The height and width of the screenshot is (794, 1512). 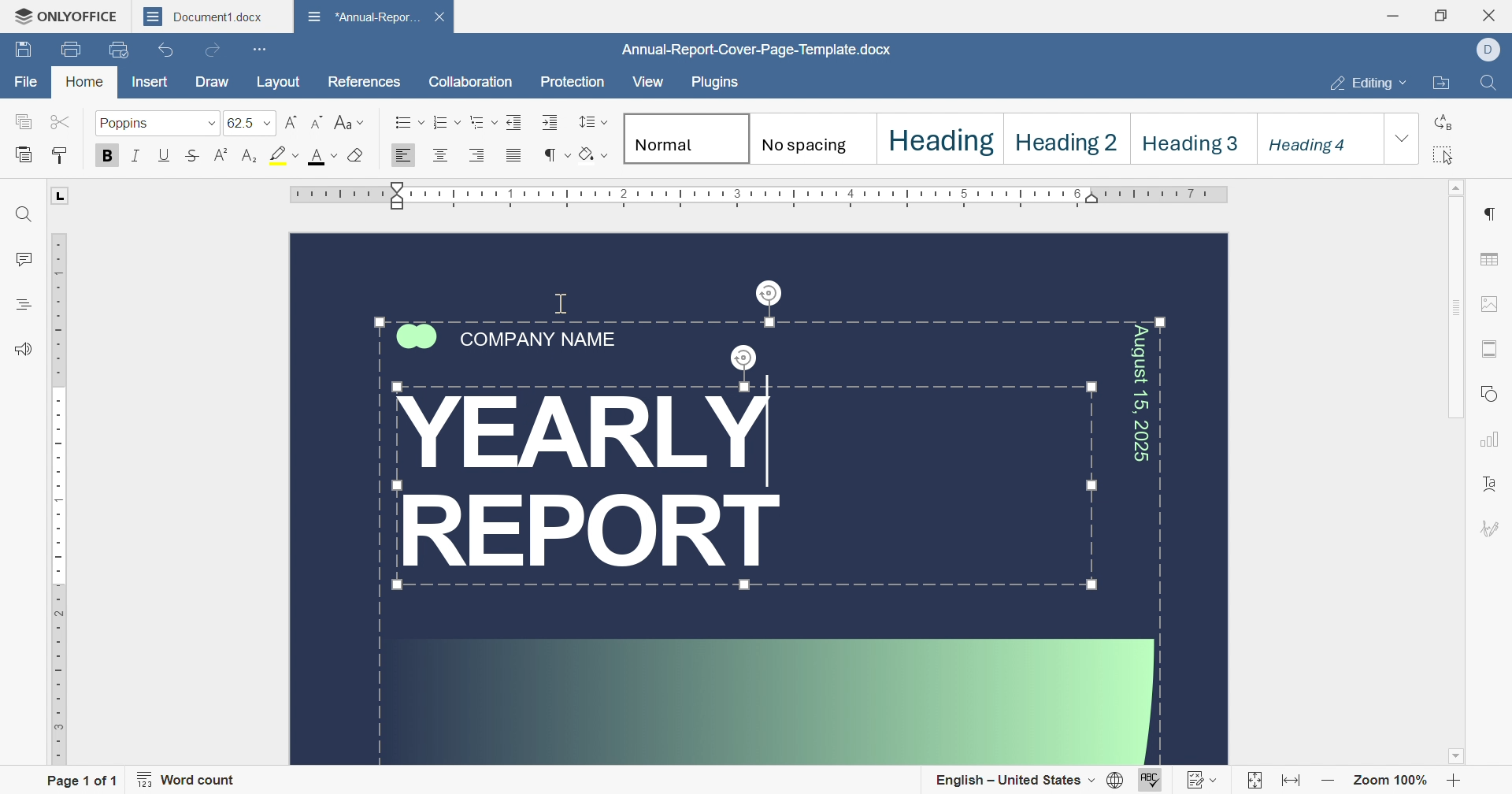 What do you see at coordinates (1492, 17) in the screenshot?
I see `close` at bounding box center [1492, 17].